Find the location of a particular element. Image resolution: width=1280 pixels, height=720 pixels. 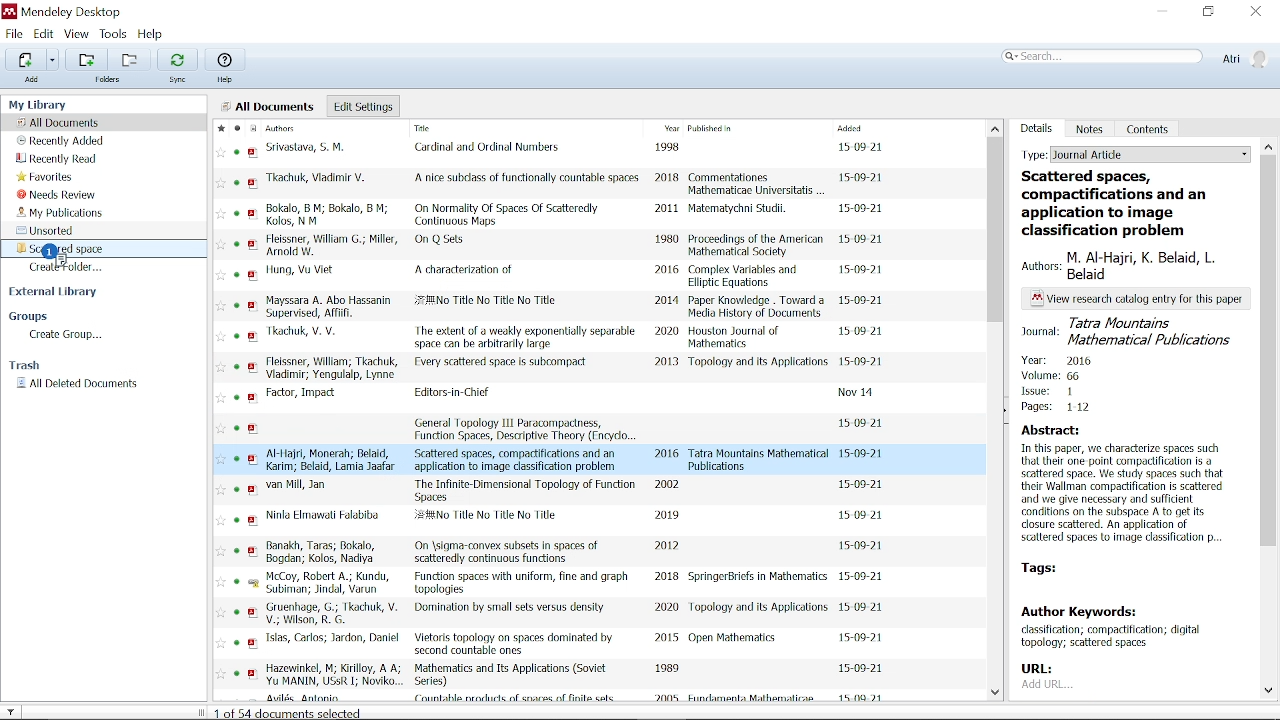

File is located at coordinates (14, 33).